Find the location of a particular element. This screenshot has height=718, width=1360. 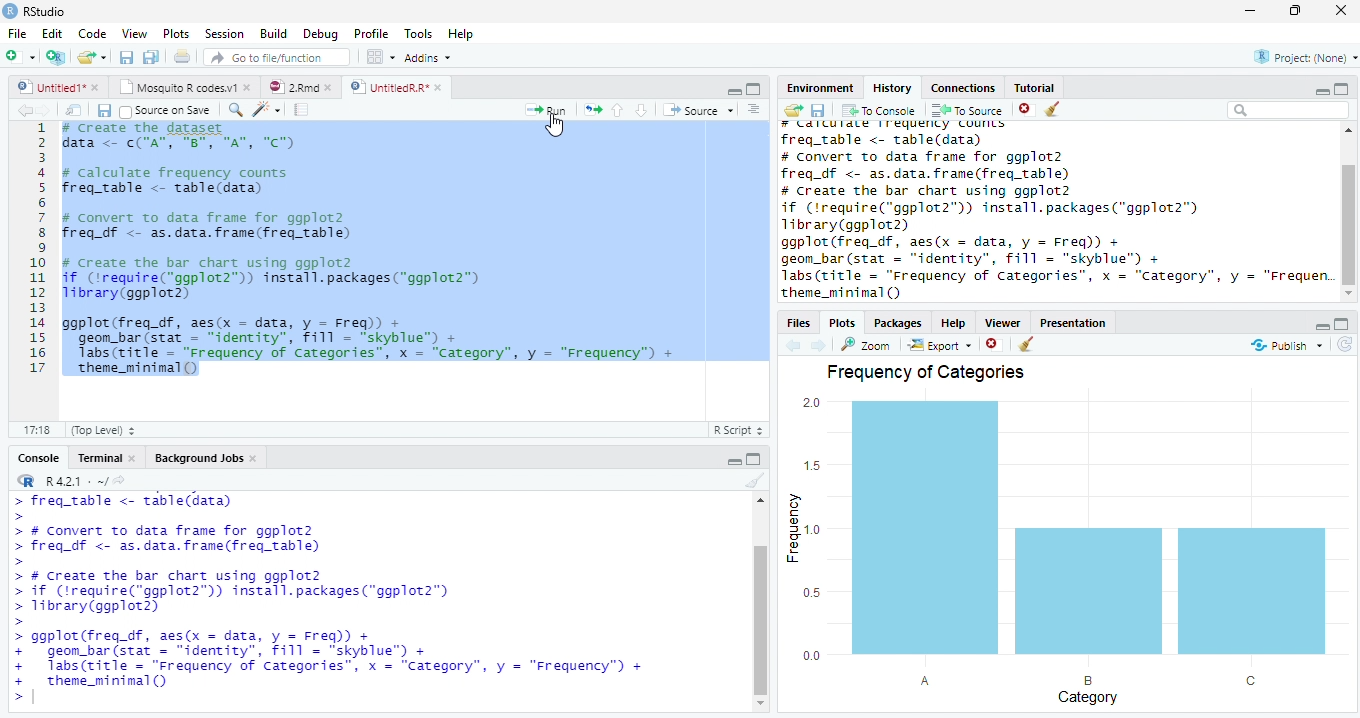

Top level is located at coordinates (99, 431).